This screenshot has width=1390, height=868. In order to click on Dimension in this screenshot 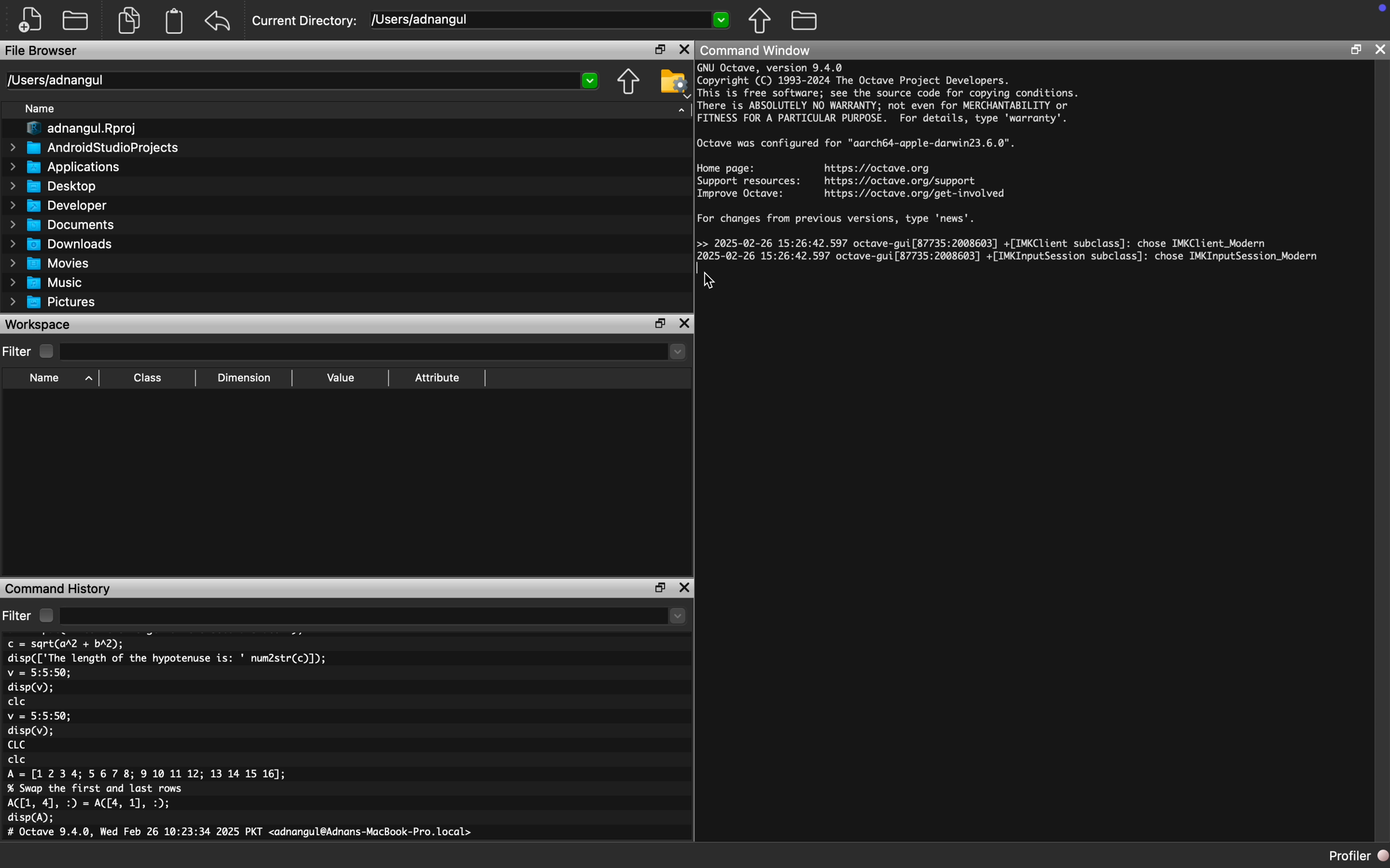, I will do `click(244, 378)`.